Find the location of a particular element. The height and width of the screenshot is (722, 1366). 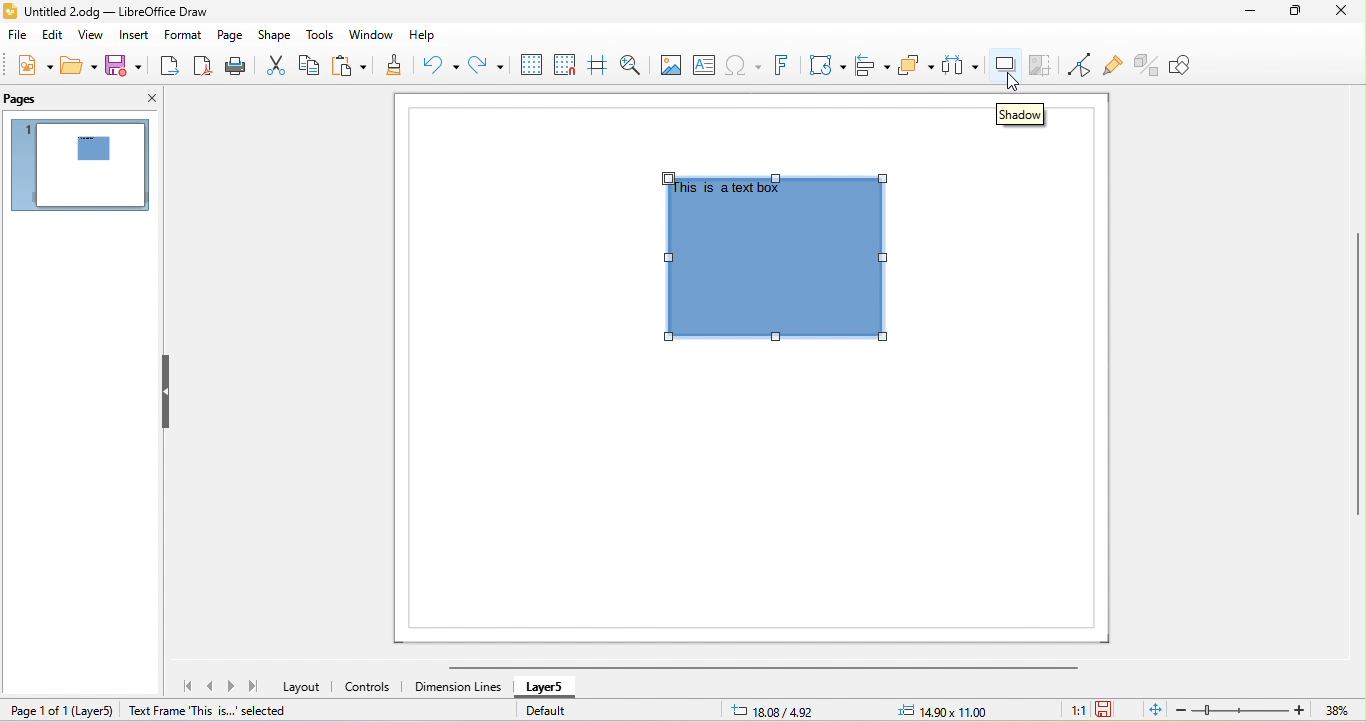

snap to grid is located at coordinates (564, 65).